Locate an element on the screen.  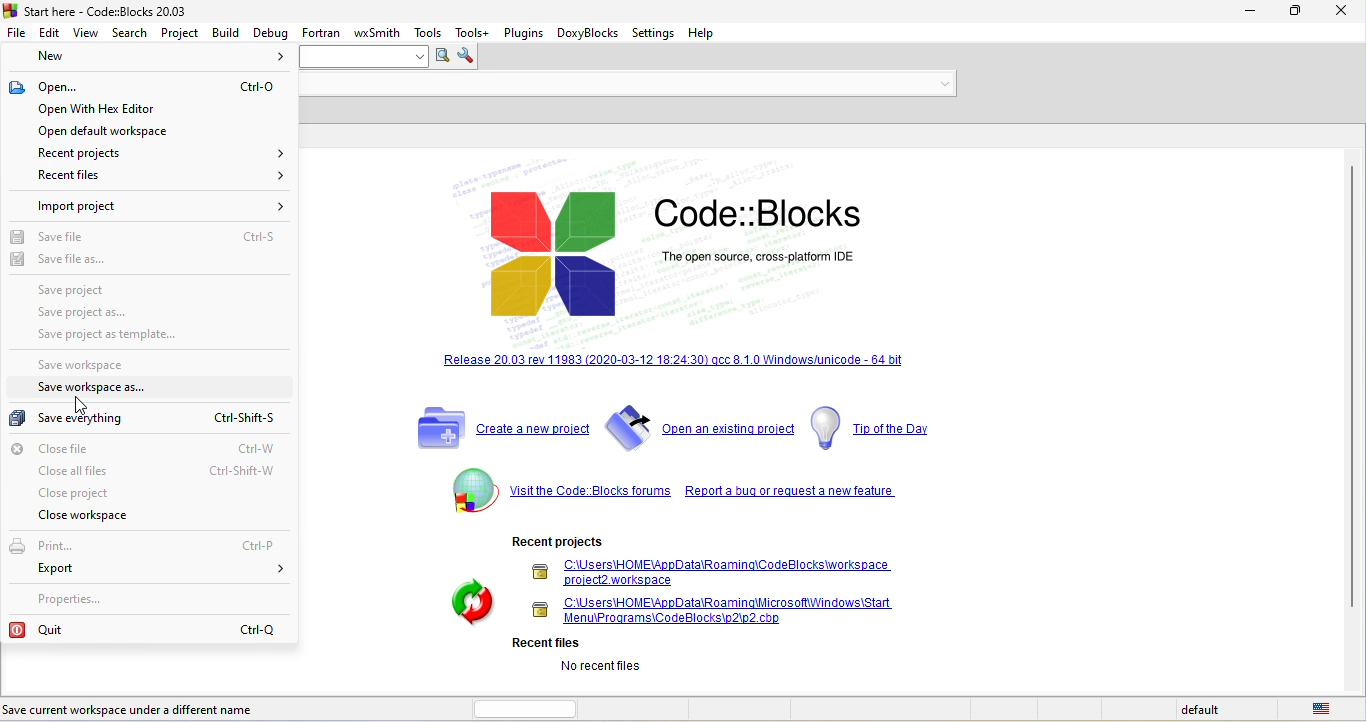
save current workspace under a different name is located at coordinates (154, 708).